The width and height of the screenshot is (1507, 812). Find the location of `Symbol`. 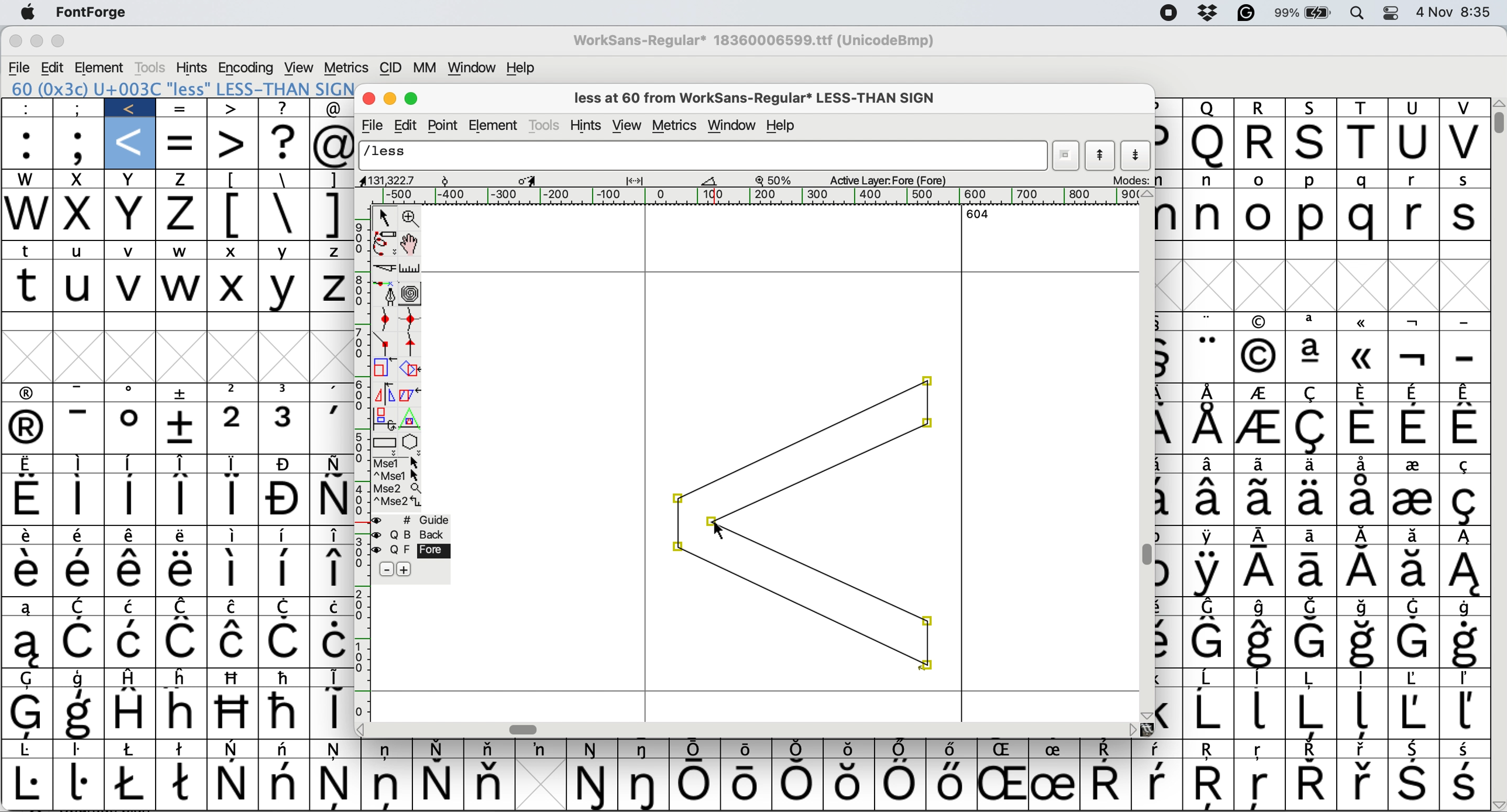

Symbol is located at coordinates (850, 748).